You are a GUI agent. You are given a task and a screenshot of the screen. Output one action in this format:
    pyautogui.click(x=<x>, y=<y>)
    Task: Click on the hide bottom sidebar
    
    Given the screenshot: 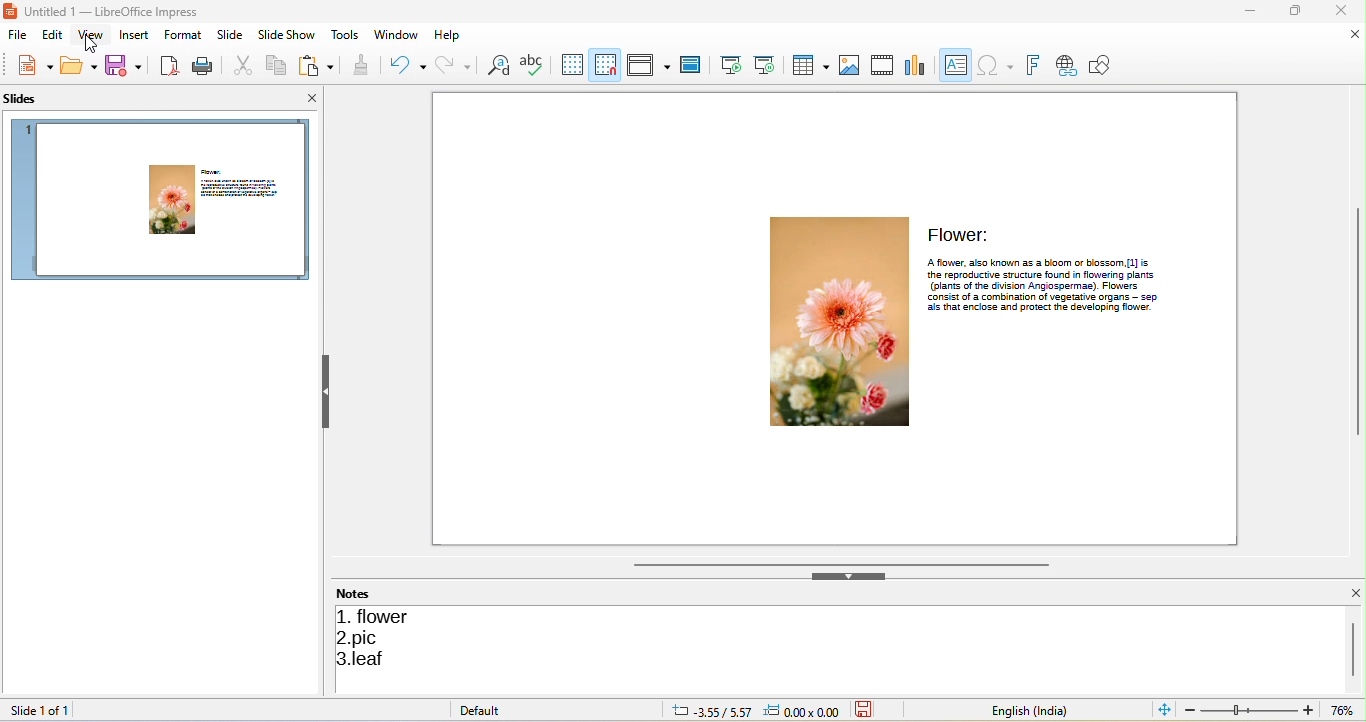 What is the action you would take?
    pyautogui.click(x=851, y=578)
    